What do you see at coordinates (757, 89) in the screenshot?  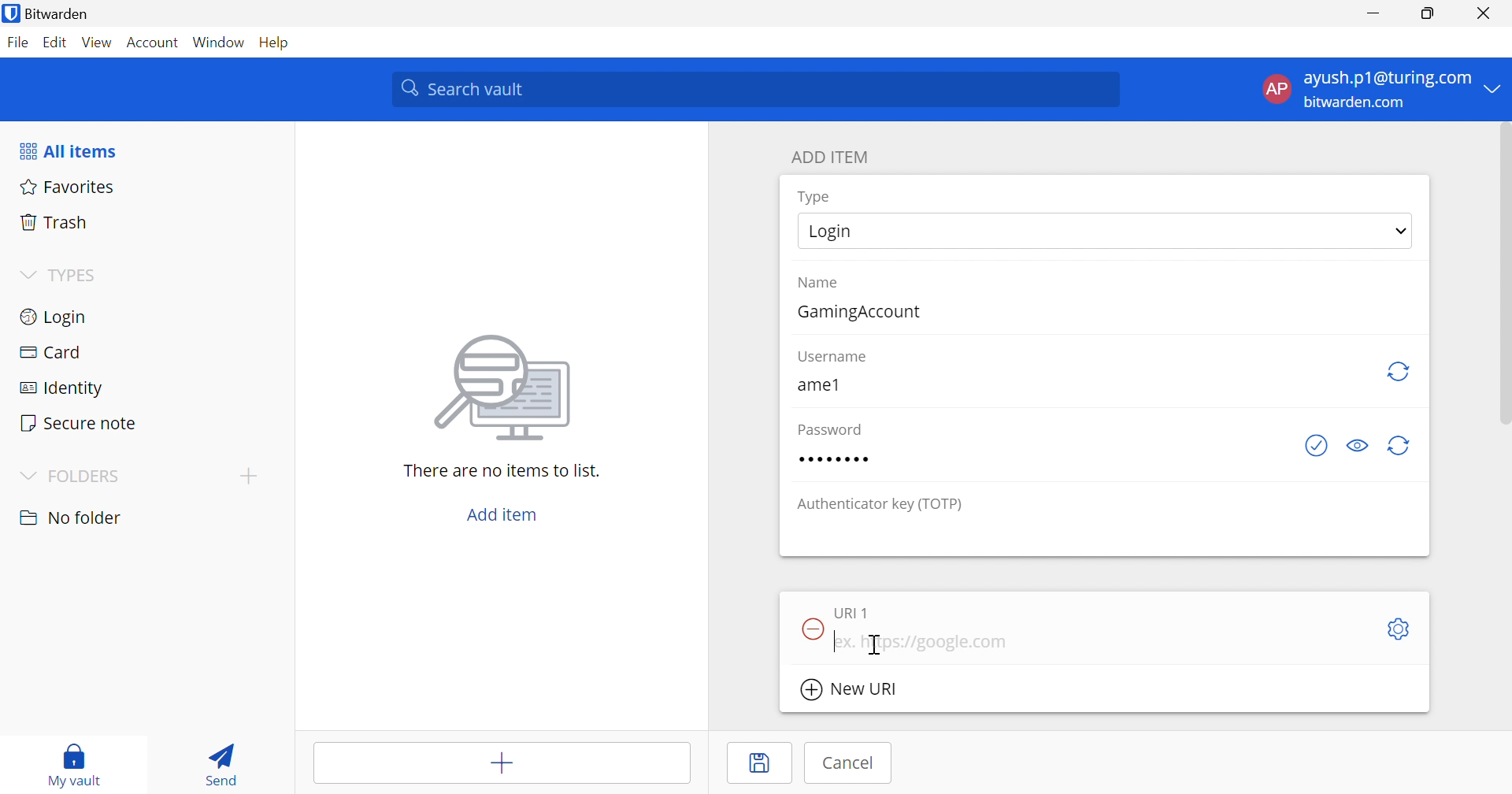 I see `Search vault` at bounding box center [757, 89].